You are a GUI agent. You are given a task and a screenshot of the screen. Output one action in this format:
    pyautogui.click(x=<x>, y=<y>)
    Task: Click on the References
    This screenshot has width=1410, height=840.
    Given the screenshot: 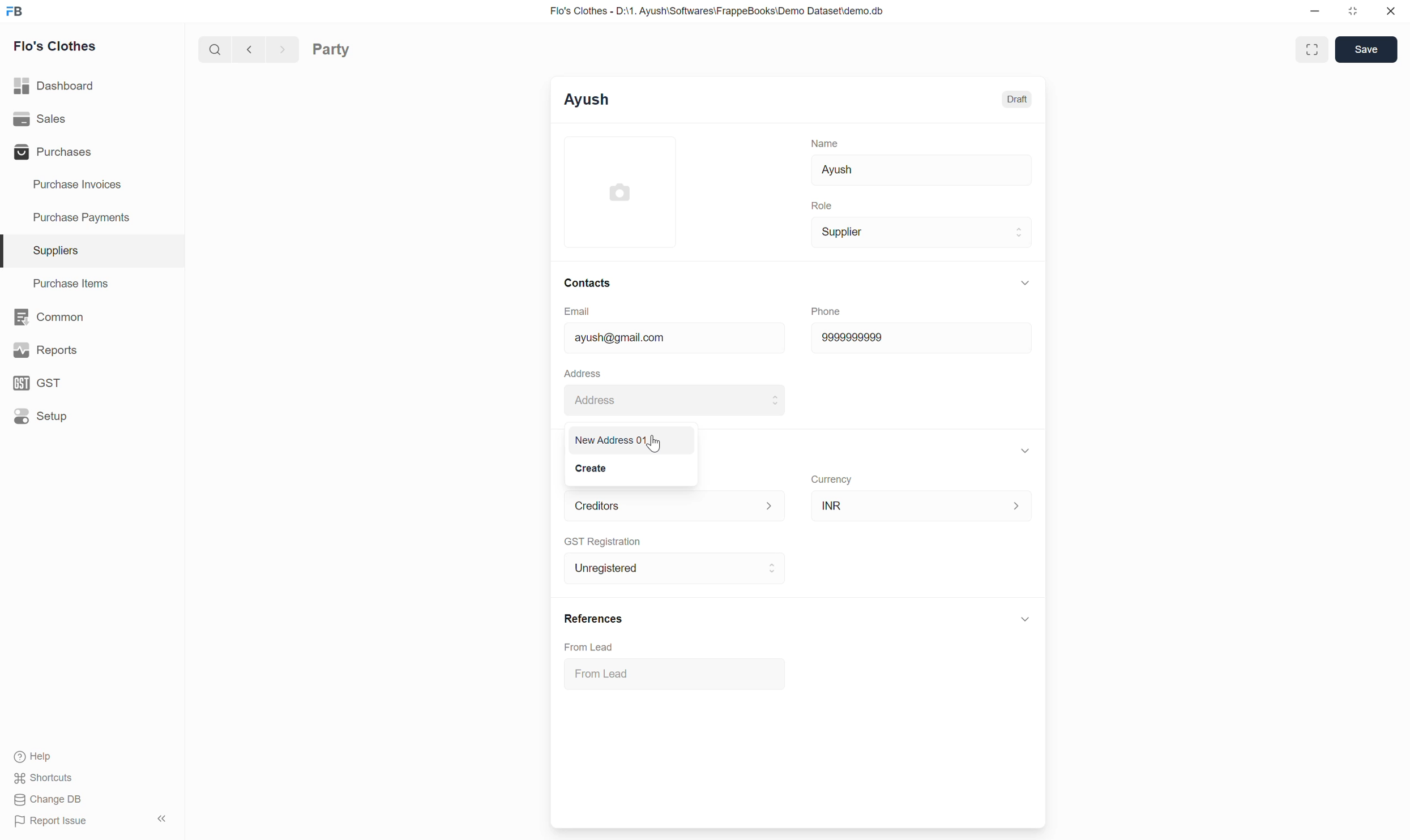 What is the action you would take?
    pyautogui.click(x=595, y=619)
    